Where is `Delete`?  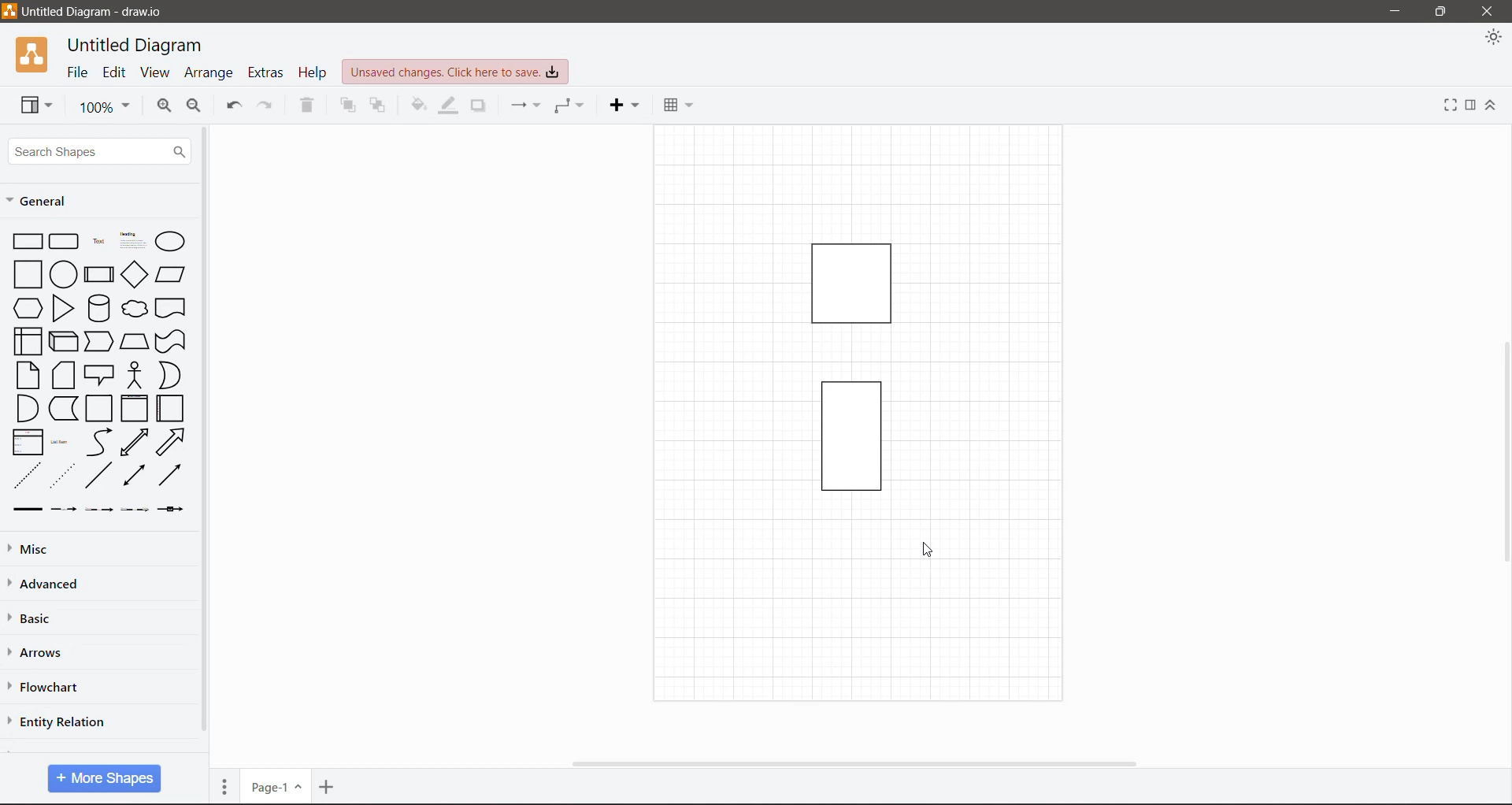
Delete is located at coordinates (306, 107).